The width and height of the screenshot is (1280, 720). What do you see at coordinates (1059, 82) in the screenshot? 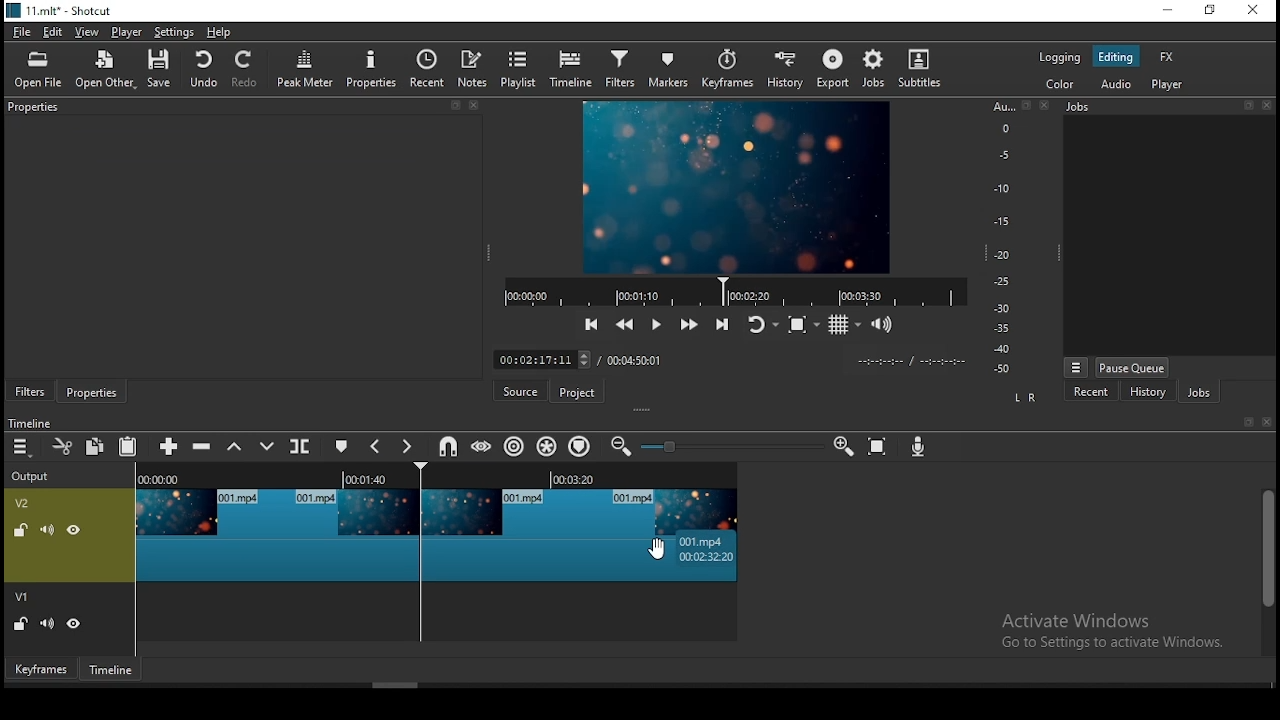
I see `color` at bounding box center [1059, 82].